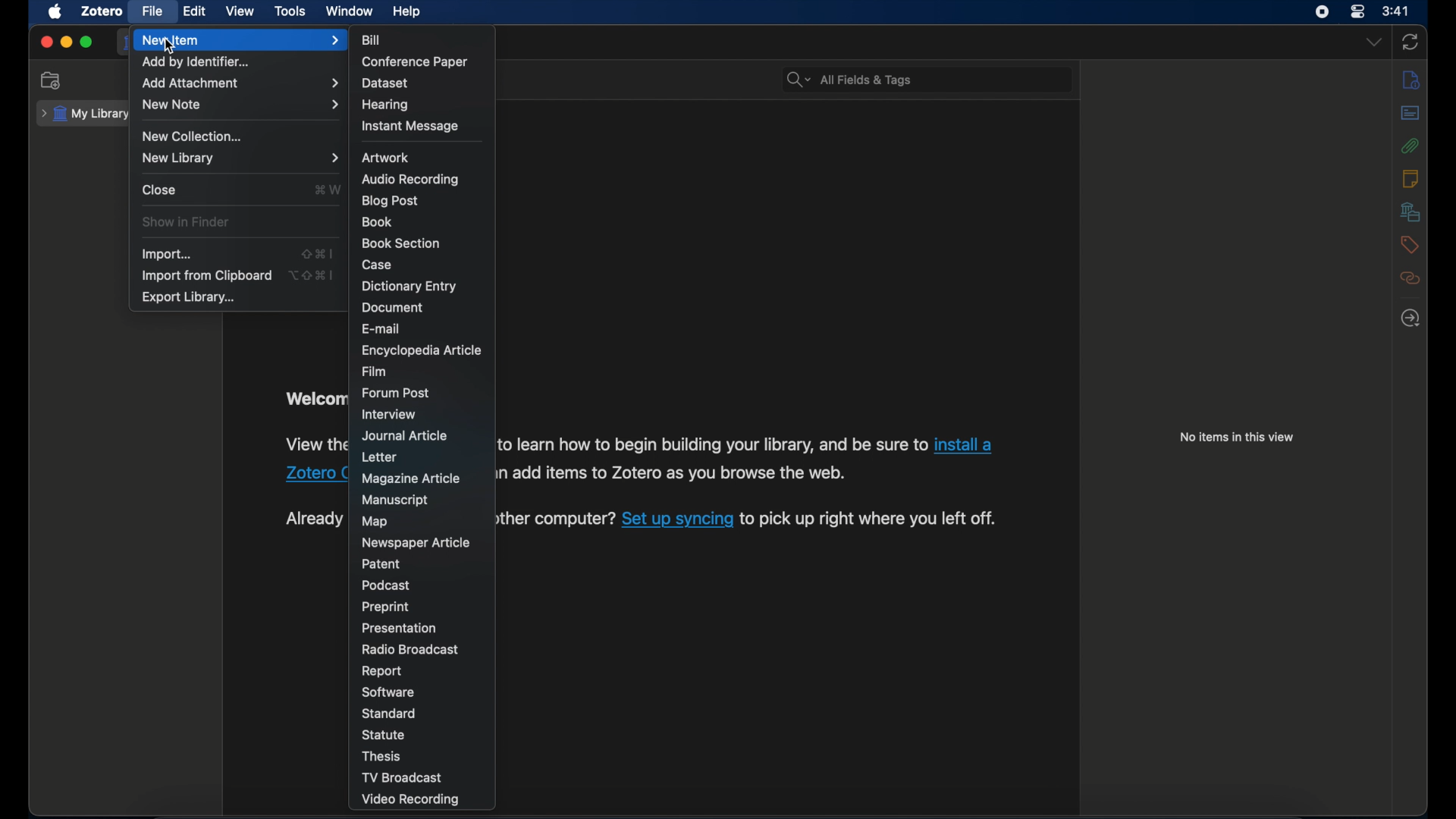 The width and height of the screenshot is (1456, 819). What do you see at coordinates (242, 84) in the screenshot?
I see `add attachment` at bounding box center [242, 84].